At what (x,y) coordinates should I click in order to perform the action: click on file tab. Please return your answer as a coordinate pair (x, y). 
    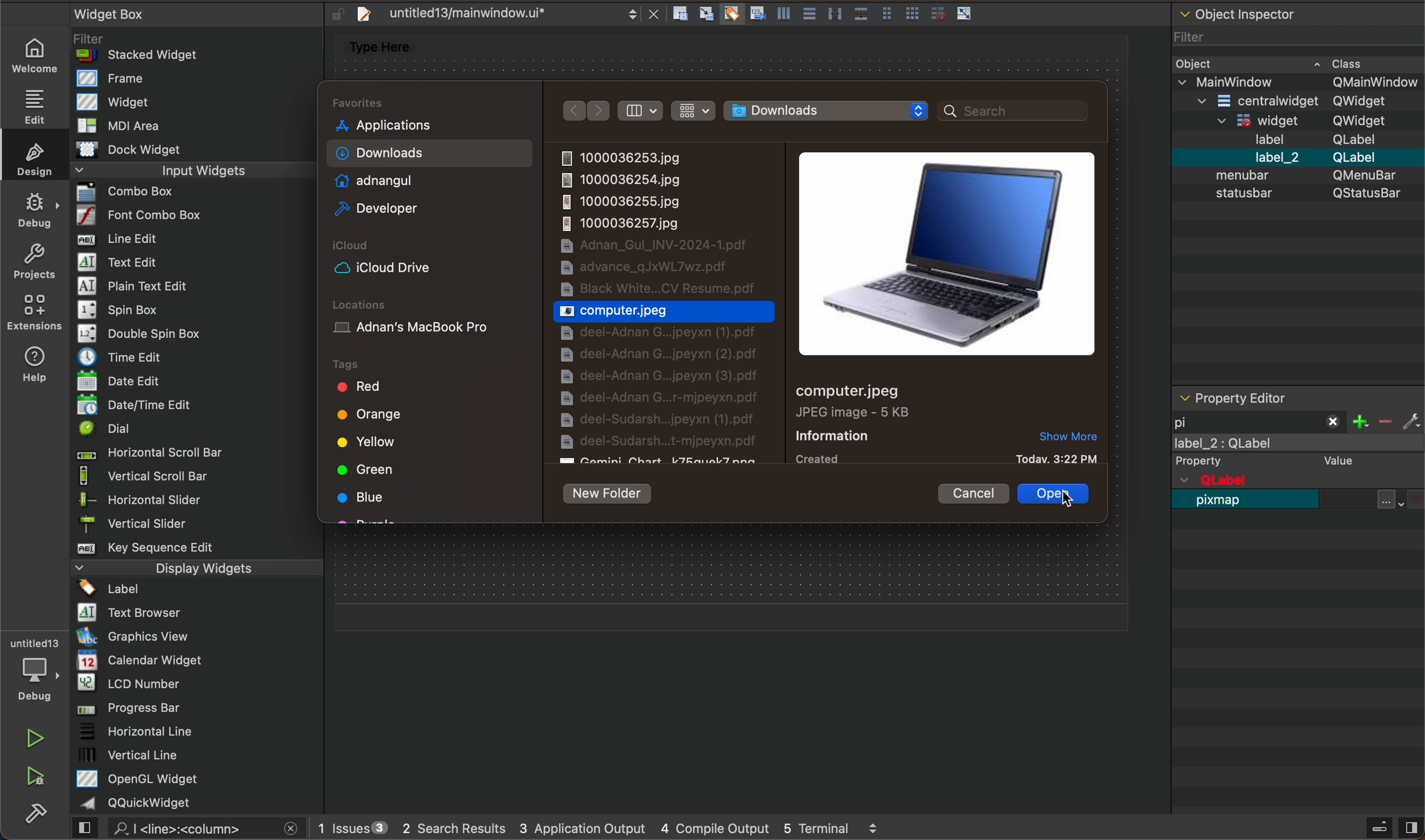
    Looking at the image, I should click on (503, 16).